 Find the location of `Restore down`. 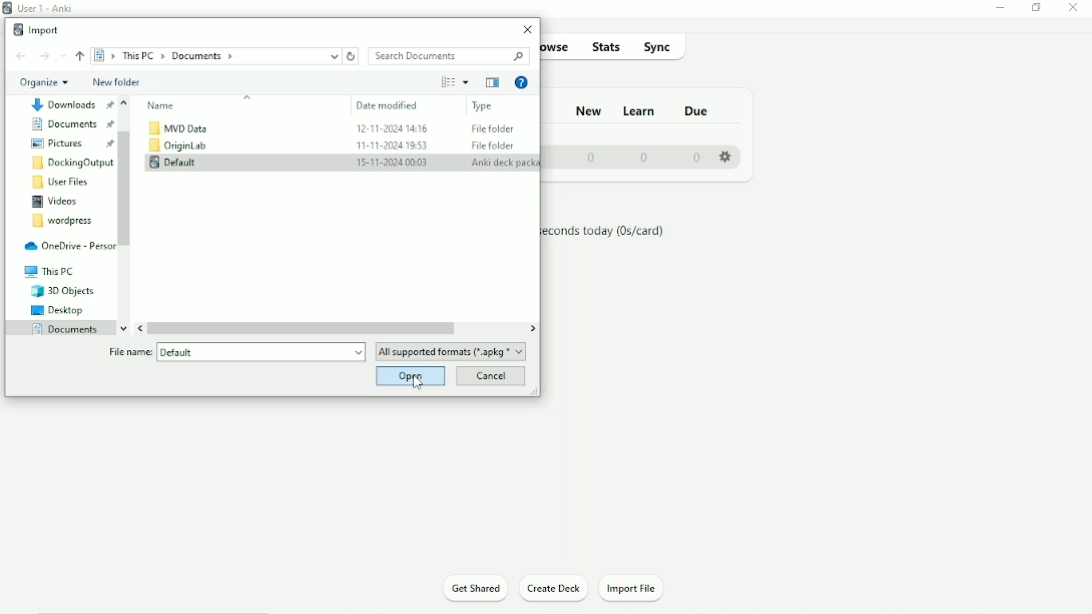

Restore down is located at coordinates (1036, 8).